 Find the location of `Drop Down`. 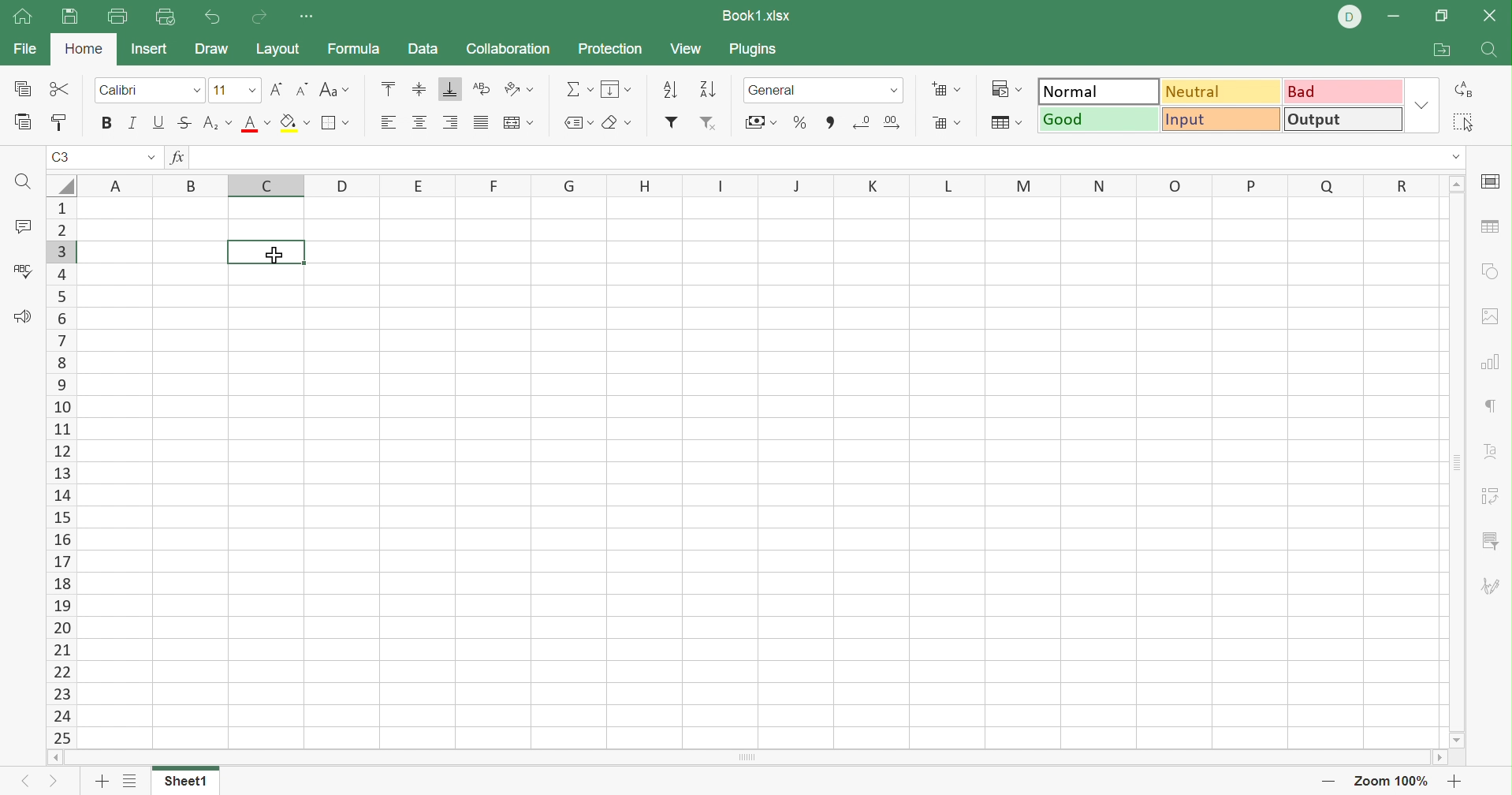

Drop Down is located at coordinates (149, 155).